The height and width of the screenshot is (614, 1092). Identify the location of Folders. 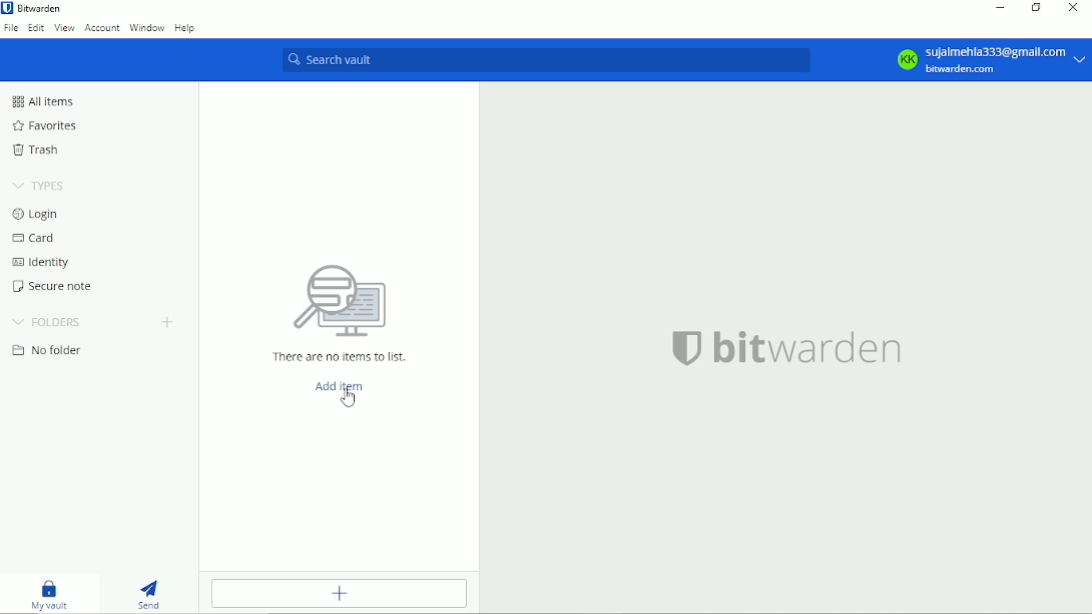
(47, 323).